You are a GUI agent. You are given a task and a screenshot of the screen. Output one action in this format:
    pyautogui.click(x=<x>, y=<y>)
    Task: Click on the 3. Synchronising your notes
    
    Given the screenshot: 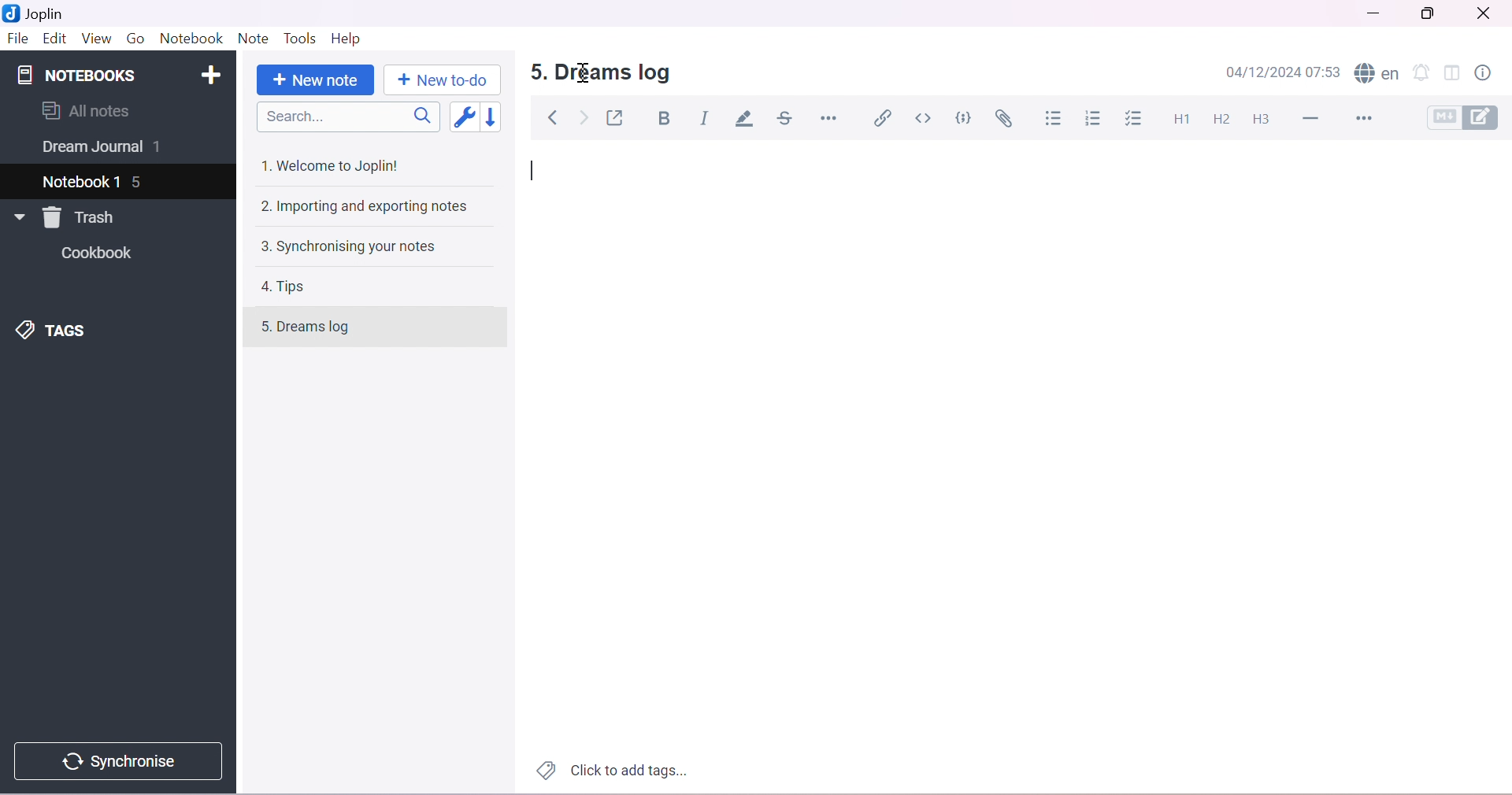 What is the action you would take?
    pyautogui.click(x=347, y=248)
    